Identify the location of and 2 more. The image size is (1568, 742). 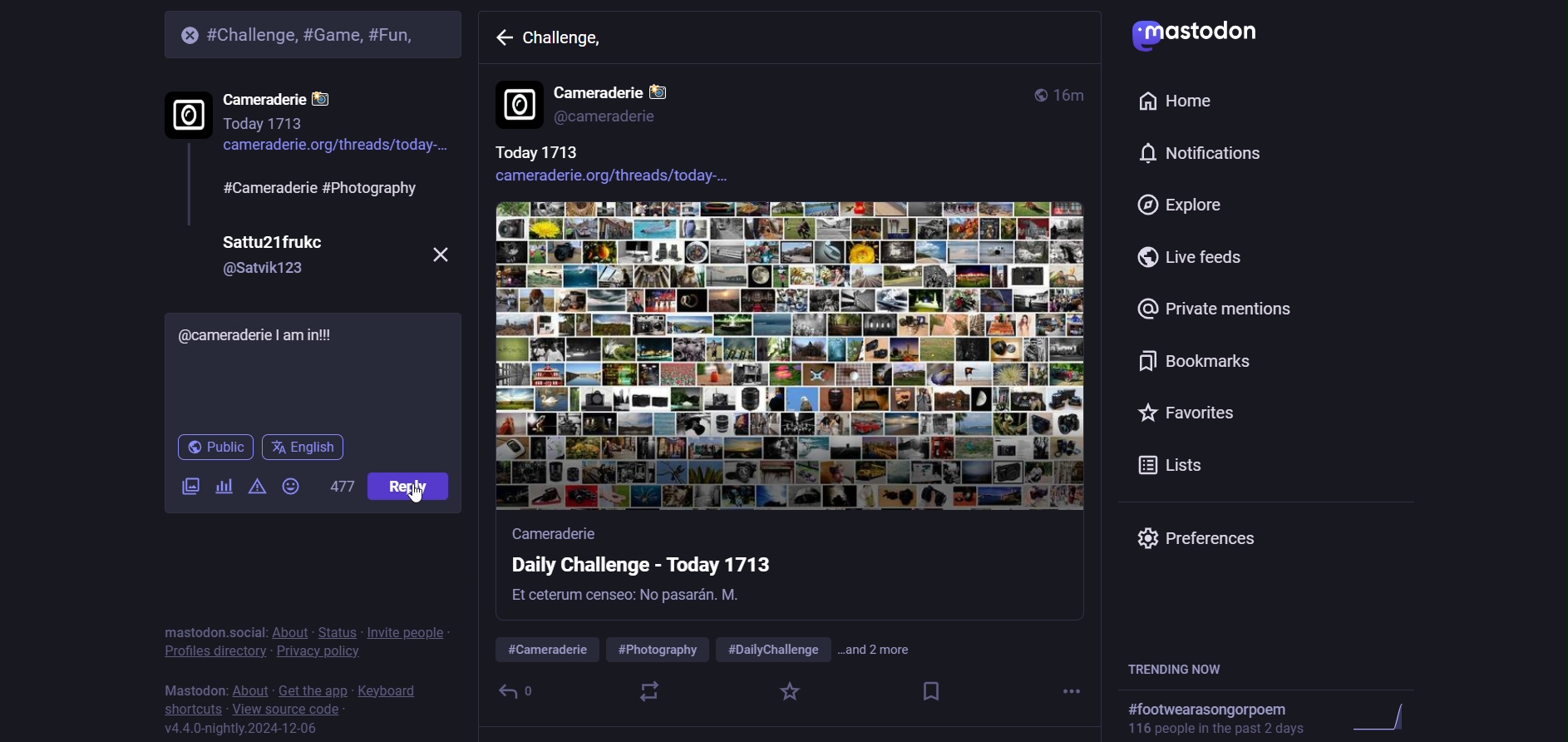
(891, 650).